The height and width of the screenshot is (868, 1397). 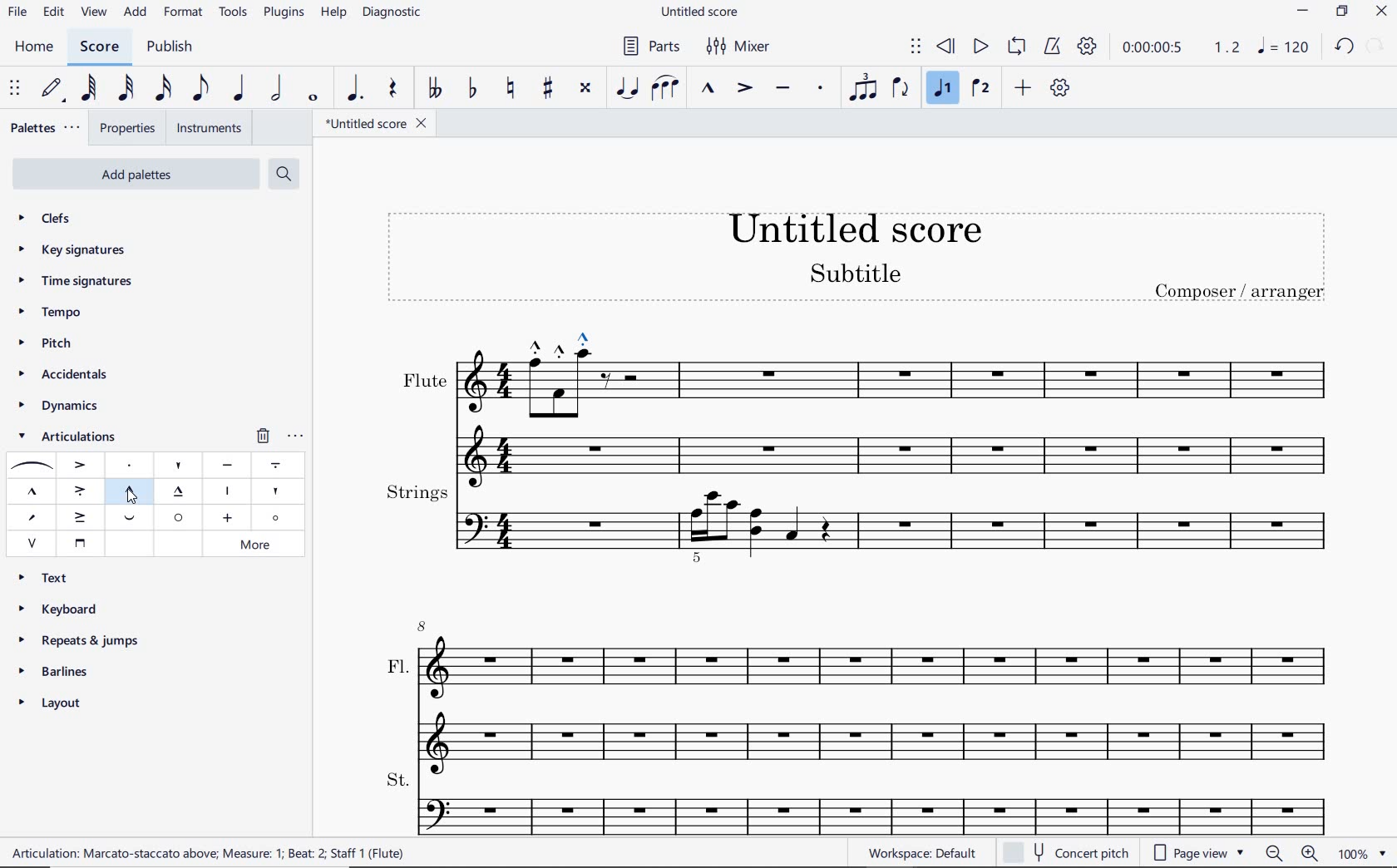 What do you see at coordinates (736, 47) in the screenshot?
I see `MIXER` at bounding box center [736, 47].